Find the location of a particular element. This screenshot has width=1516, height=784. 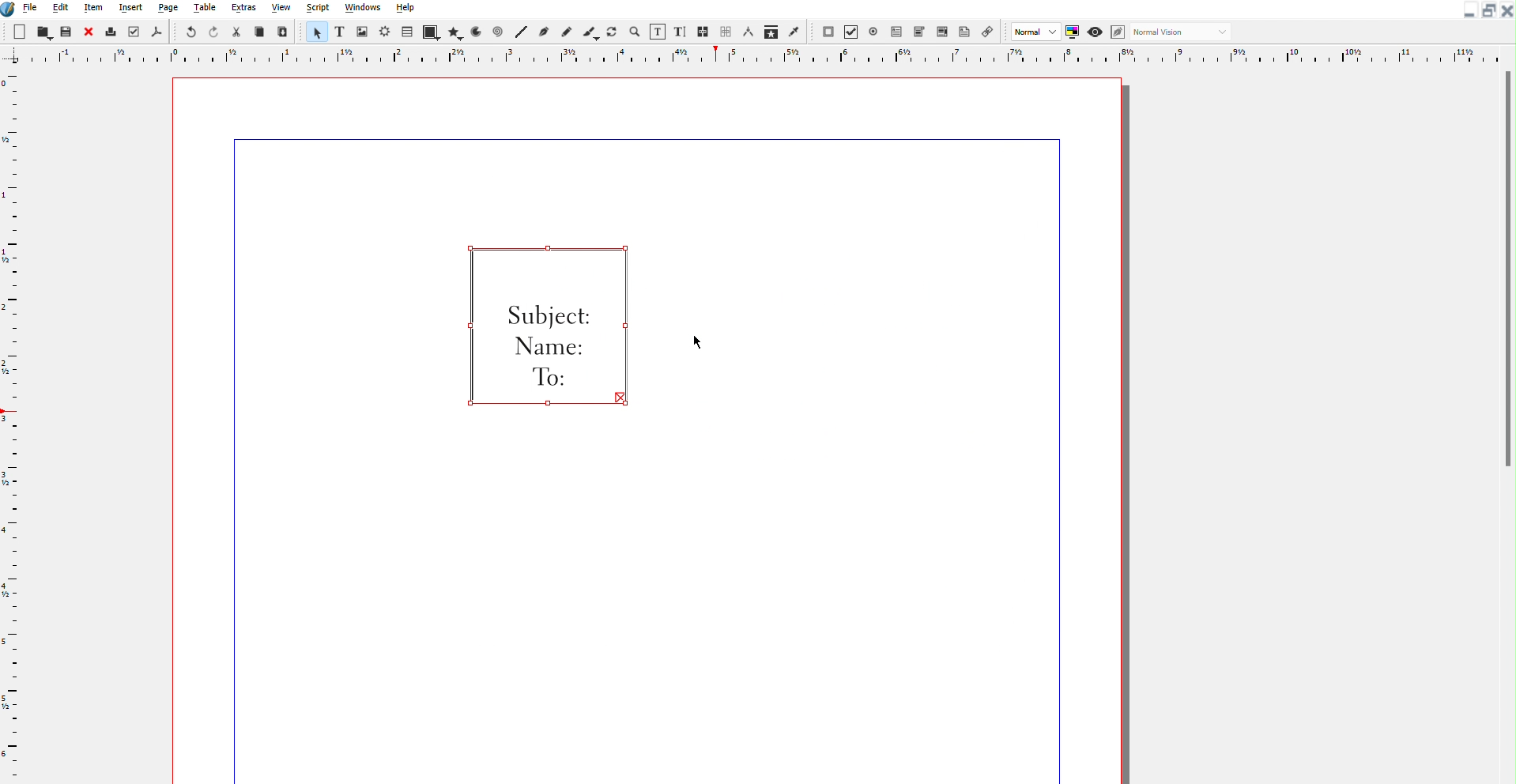

Bezier Curve is located at coordinates (544, 31).